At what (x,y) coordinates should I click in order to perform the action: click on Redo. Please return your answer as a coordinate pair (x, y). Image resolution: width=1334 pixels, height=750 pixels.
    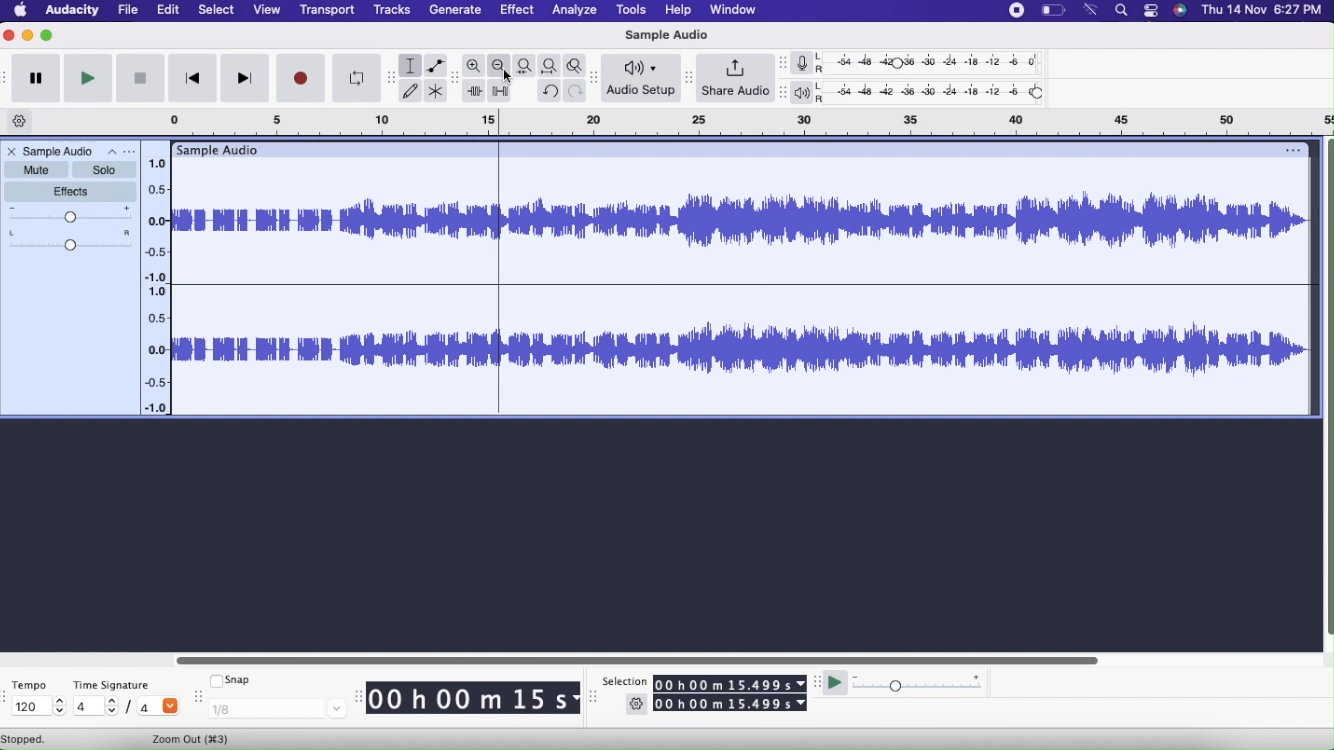
    Looking at the image, I should click on (575, 92).